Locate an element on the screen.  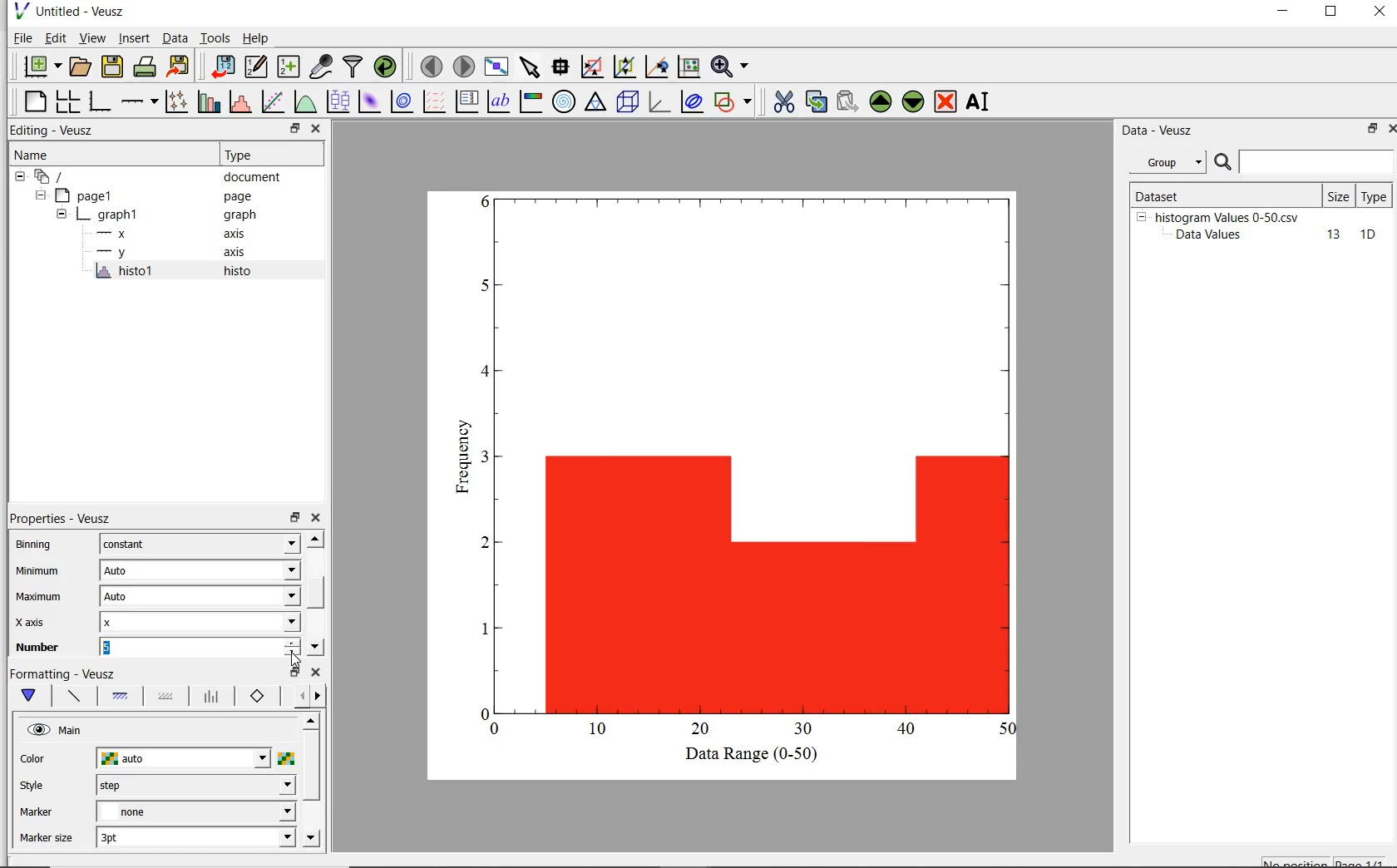
hide is located at coordinates (1141, 216).